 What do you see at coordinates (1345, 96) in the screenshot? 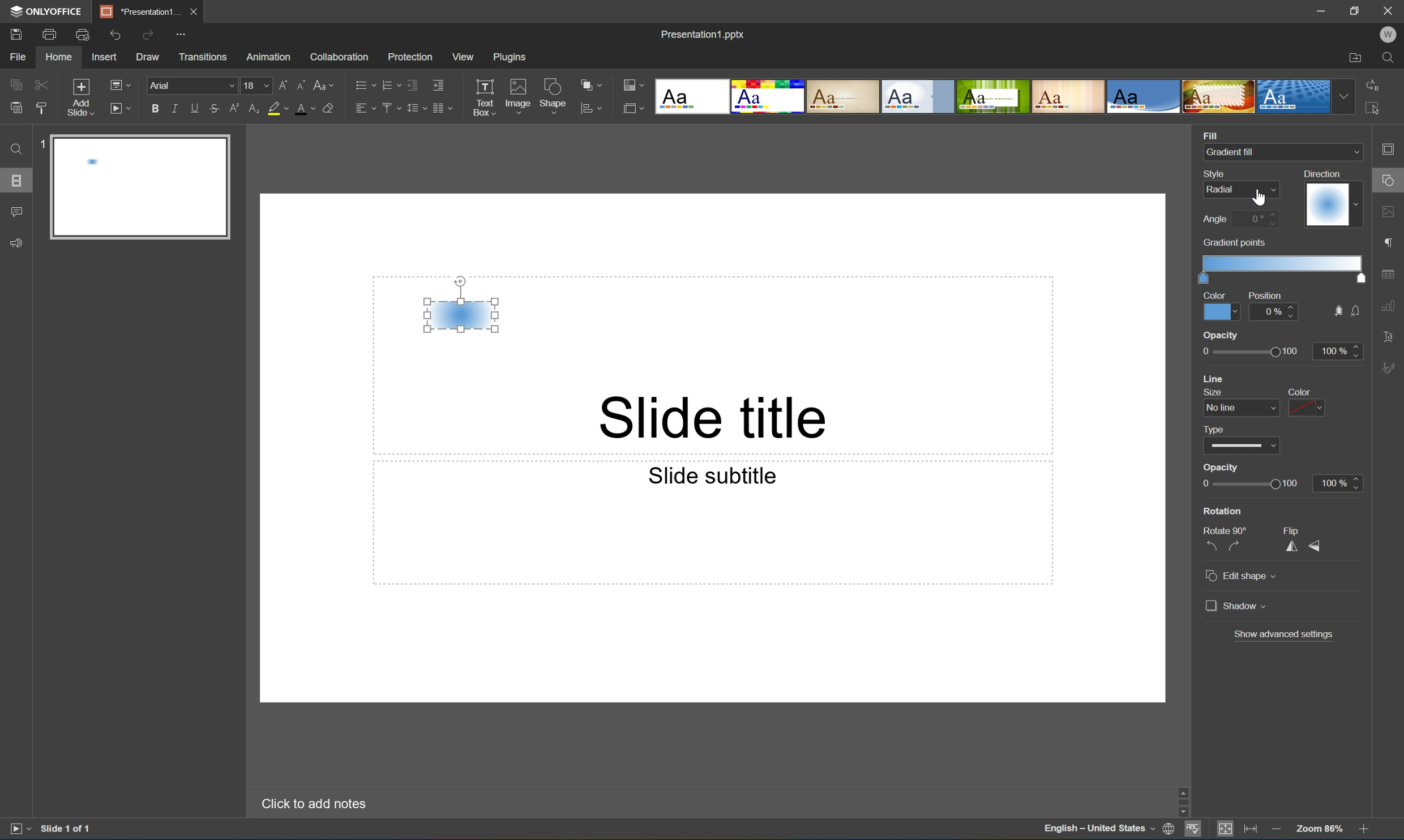
I see `Drop Down` at bounding box center [1345, 96].